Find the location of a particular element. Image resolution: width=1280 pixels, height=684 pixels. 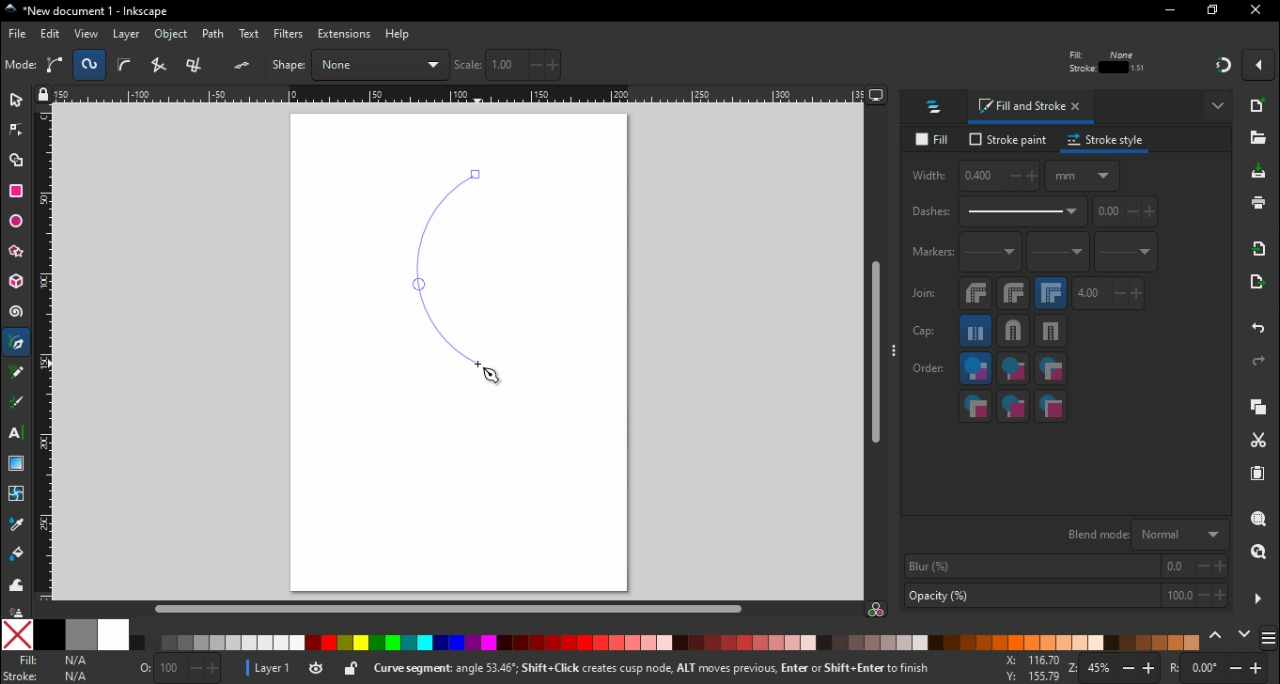

dashes is located at coordinates (999, 213).